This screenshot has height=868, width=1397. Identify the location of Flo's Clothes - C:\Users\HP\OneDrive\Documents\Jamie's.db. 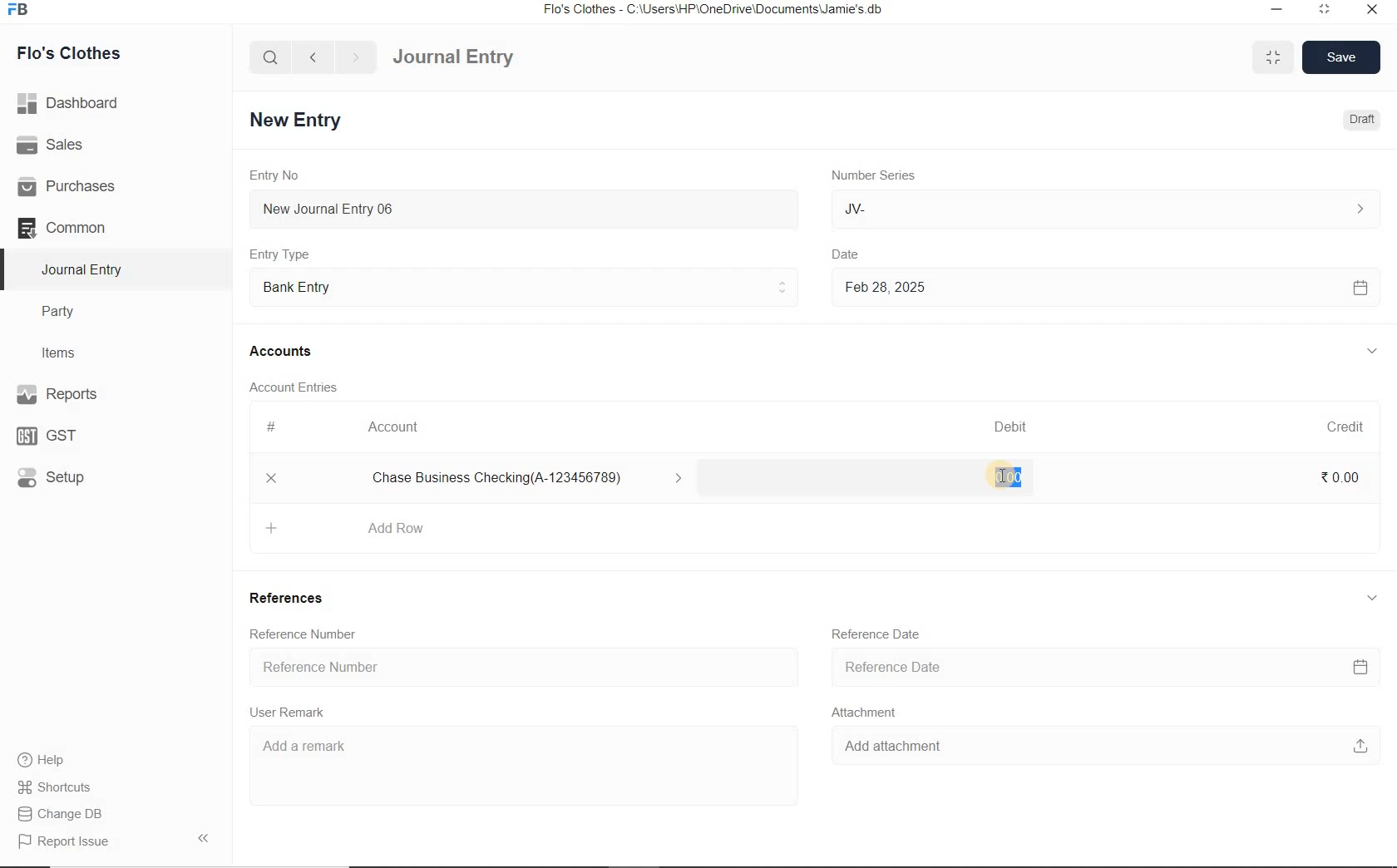
(714, 12).